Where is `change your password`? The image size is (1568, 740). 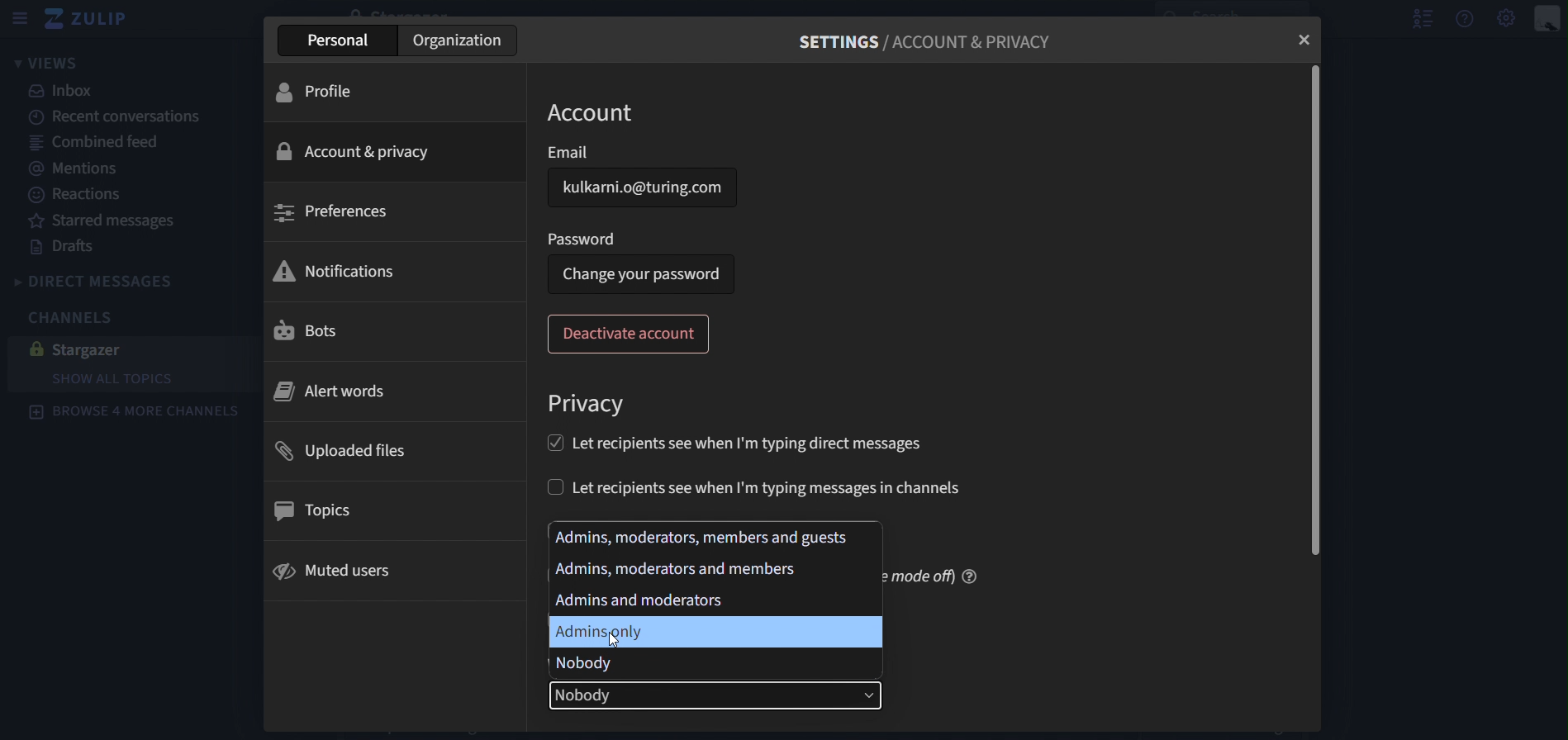 change your password is located at coordinates (643, 274).